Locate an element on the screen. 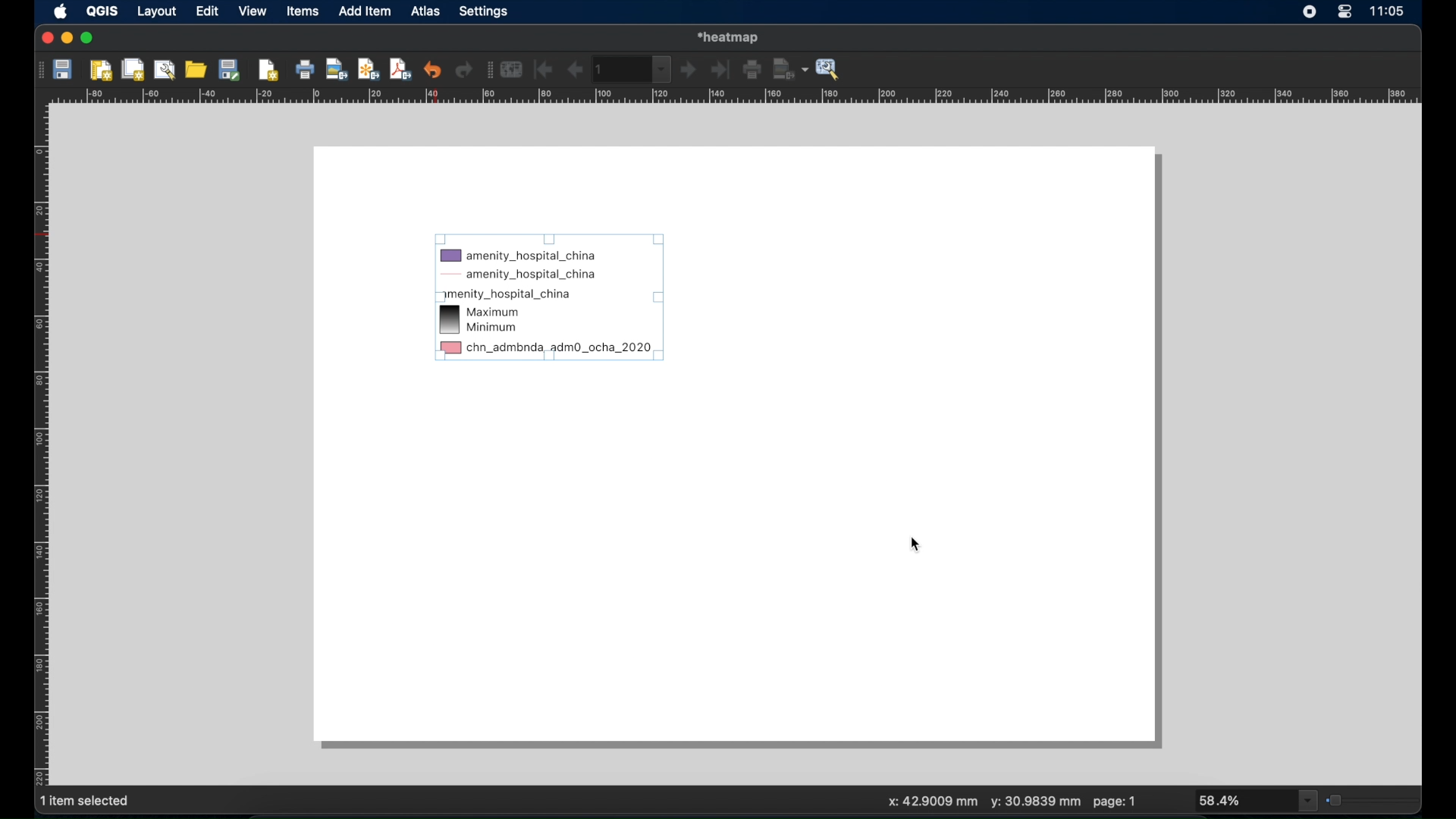 The width and height of the screenshot is (1456, 819). dd item is located at coordinates (366, 13).